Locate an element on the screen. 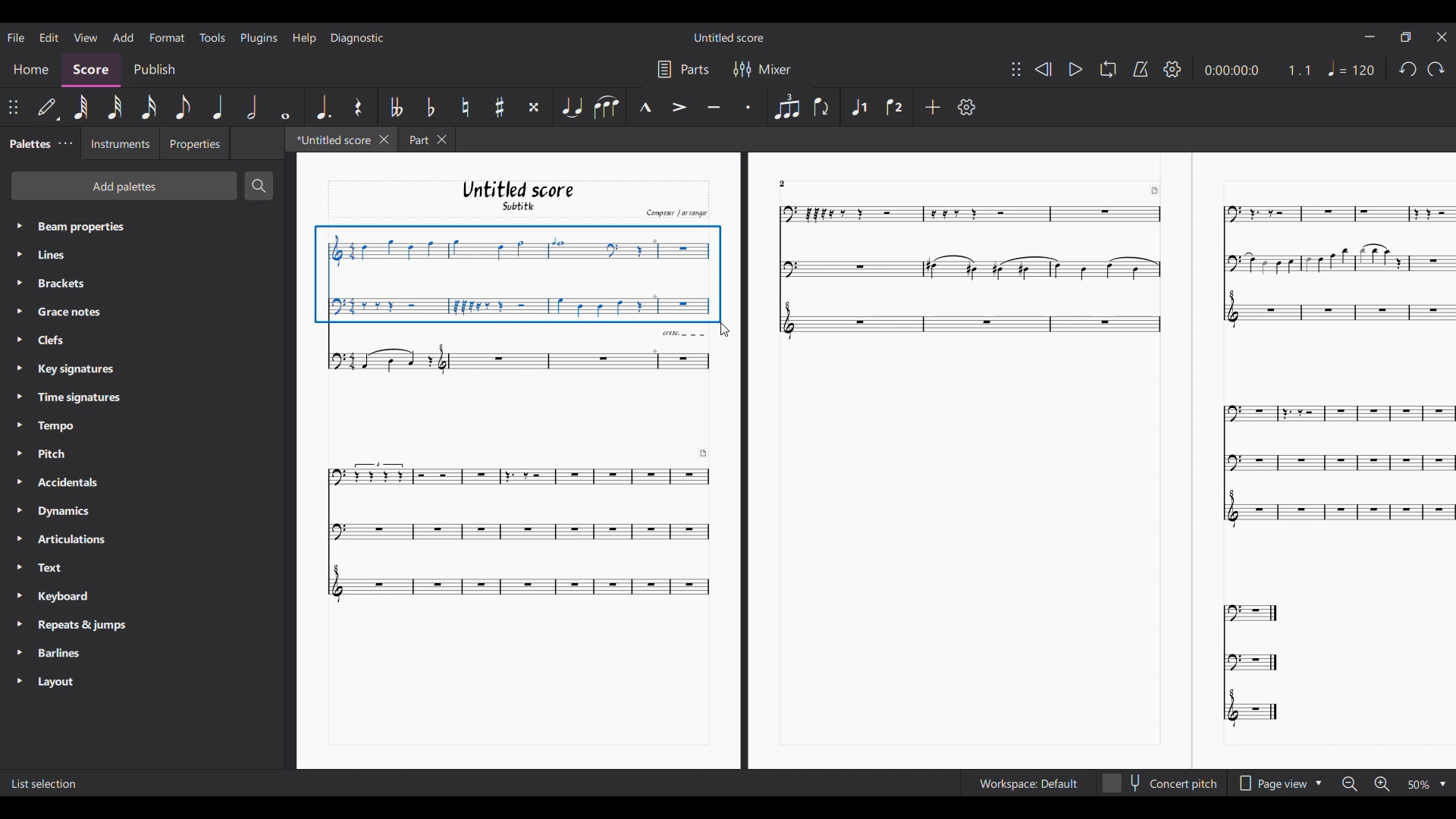 This screenshot has height=819, width=1456. 64th note is located at coordinates (83, 108).